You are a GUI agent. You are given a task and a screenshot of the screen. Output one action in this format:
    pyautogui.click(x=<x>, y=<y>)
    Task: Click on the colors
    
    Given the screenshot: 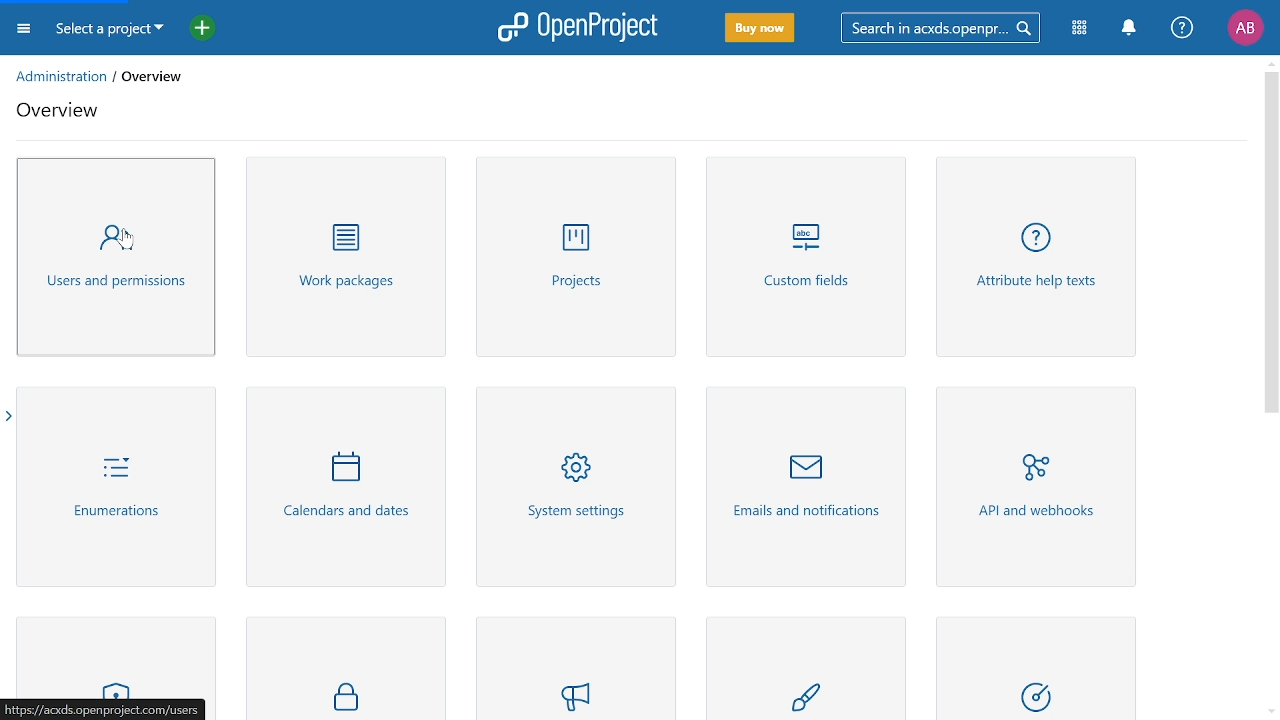 What is the action you would take?
    pyautogui.click(x=1046, y=670)
    